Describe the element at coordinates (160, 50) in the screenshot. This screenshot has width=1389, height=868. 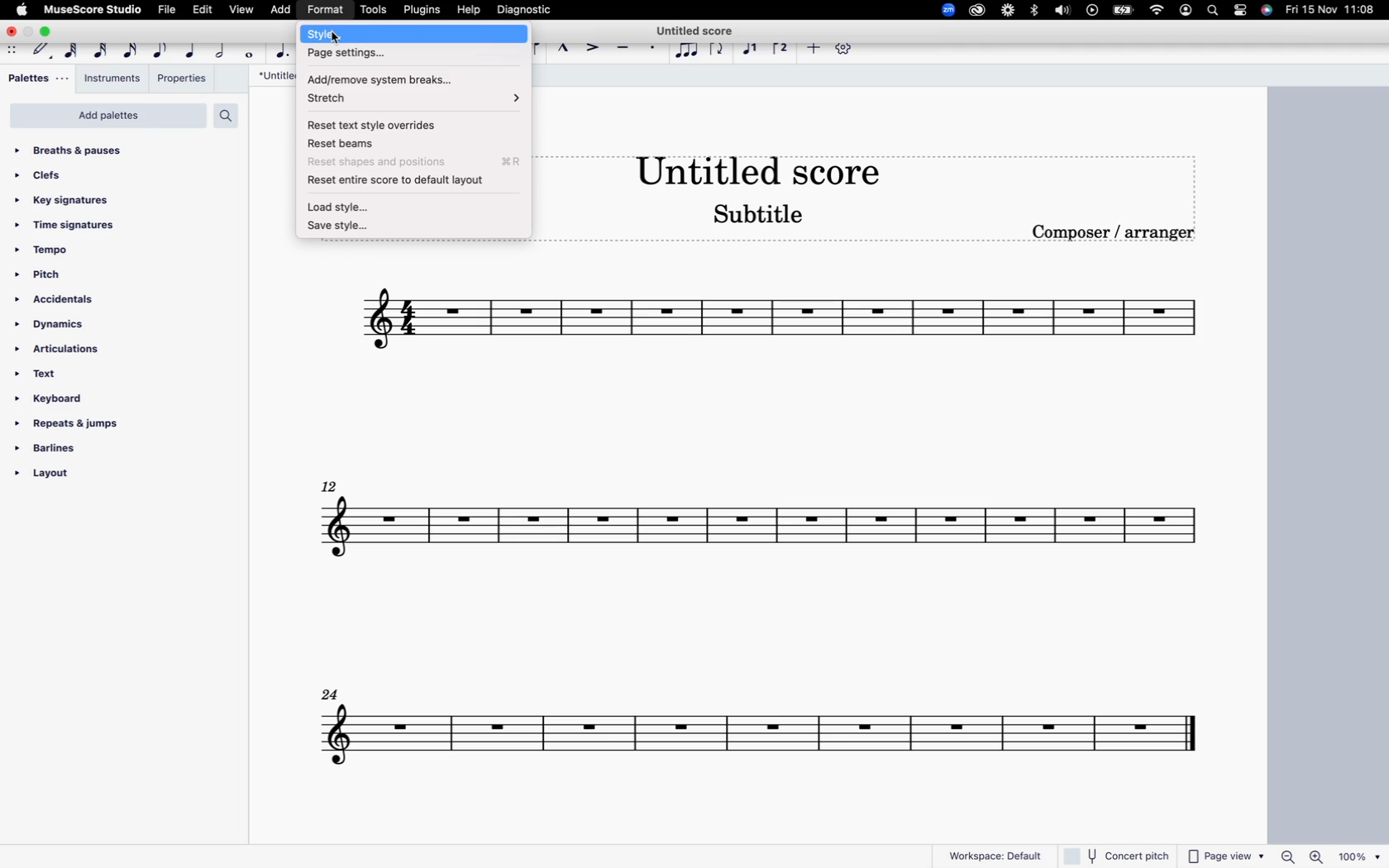
I see `eight note` at that location.